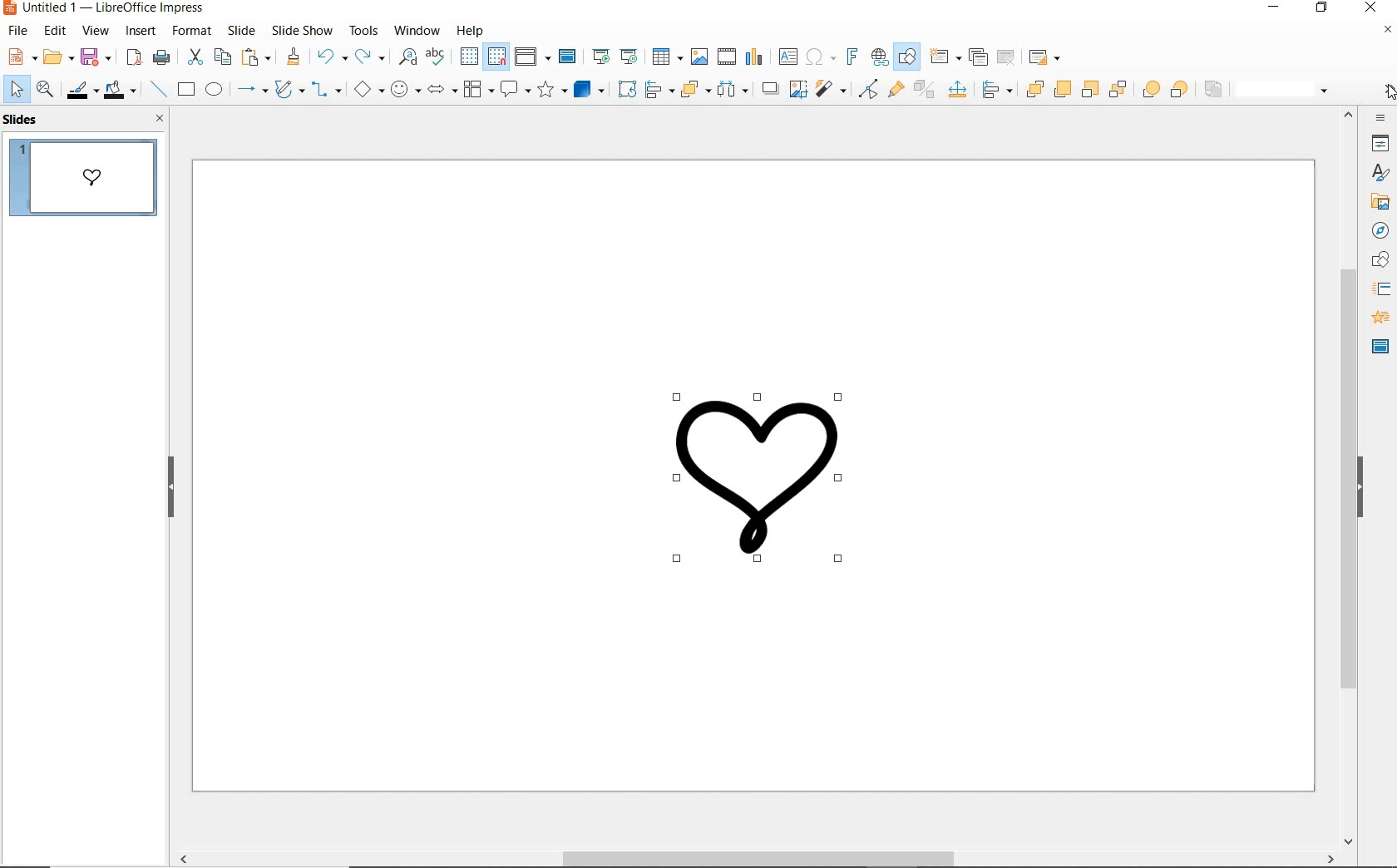 The width and height of the screenshot is (1397, 868). I want to click on clone formatting, so click(292, 57).